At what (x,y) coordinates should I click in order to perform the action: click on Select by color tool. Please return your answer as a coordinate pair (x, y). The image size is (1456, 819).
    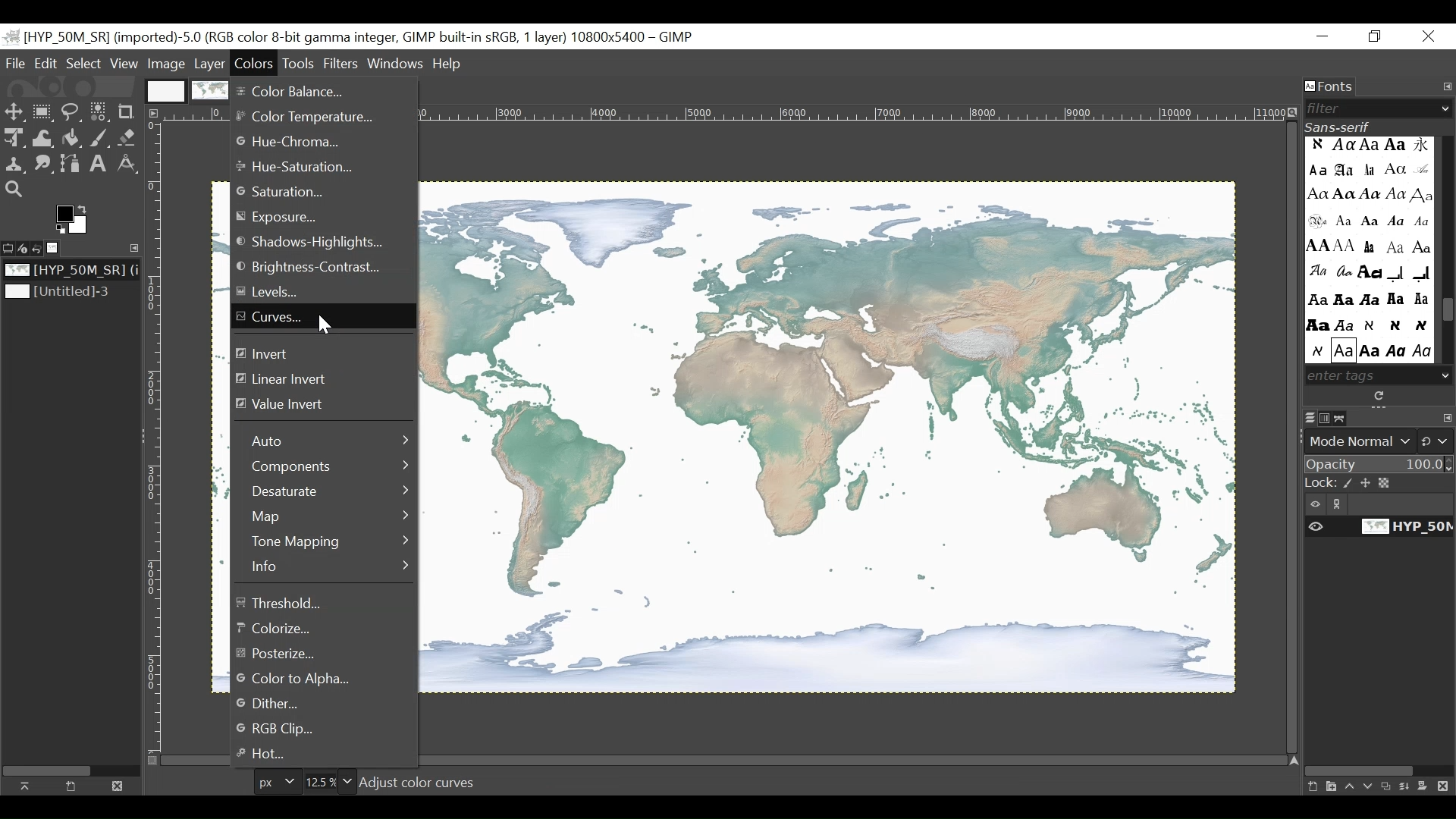
    Looking at the image, I should click on (99, 114).